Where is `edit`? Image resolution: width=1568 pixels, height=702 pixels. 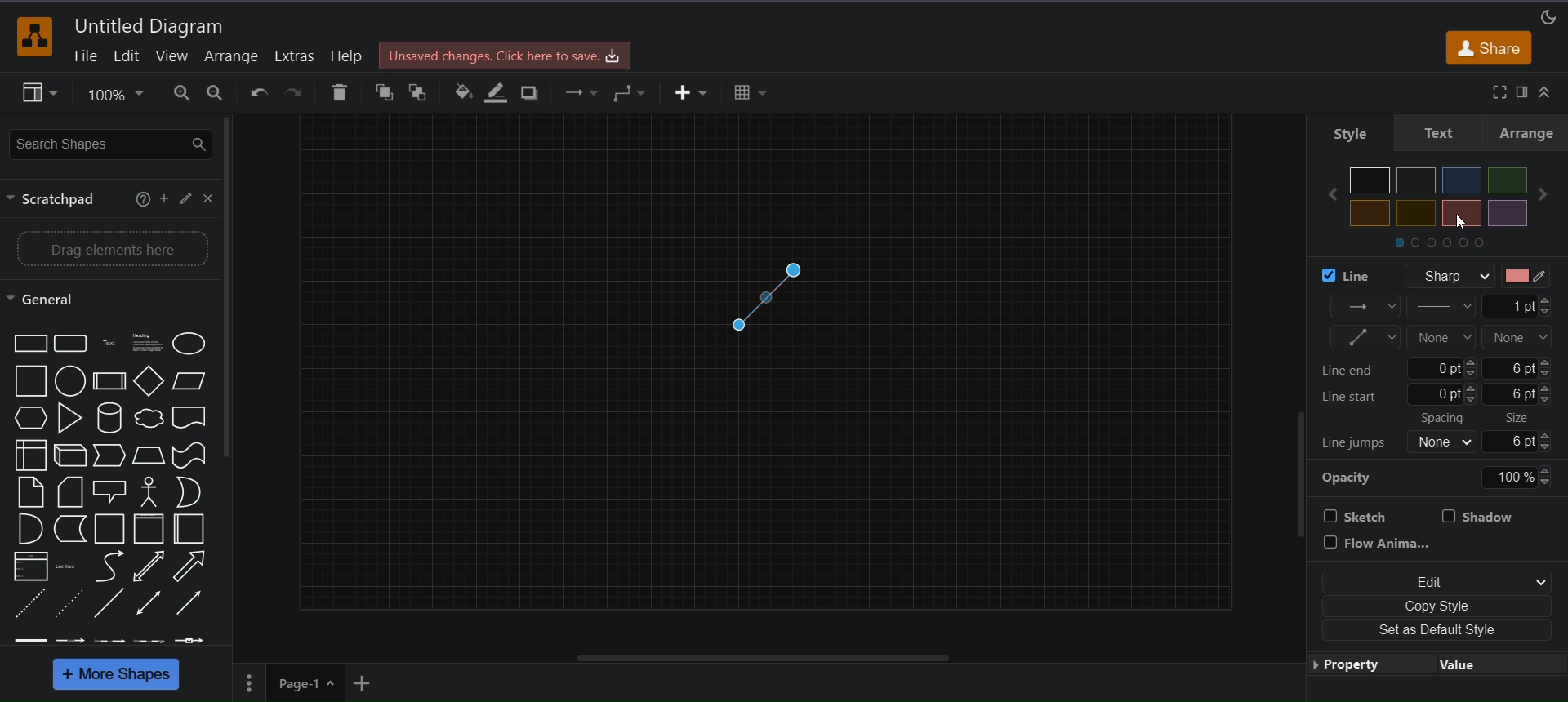
edit is located at coordinates (126, 58).